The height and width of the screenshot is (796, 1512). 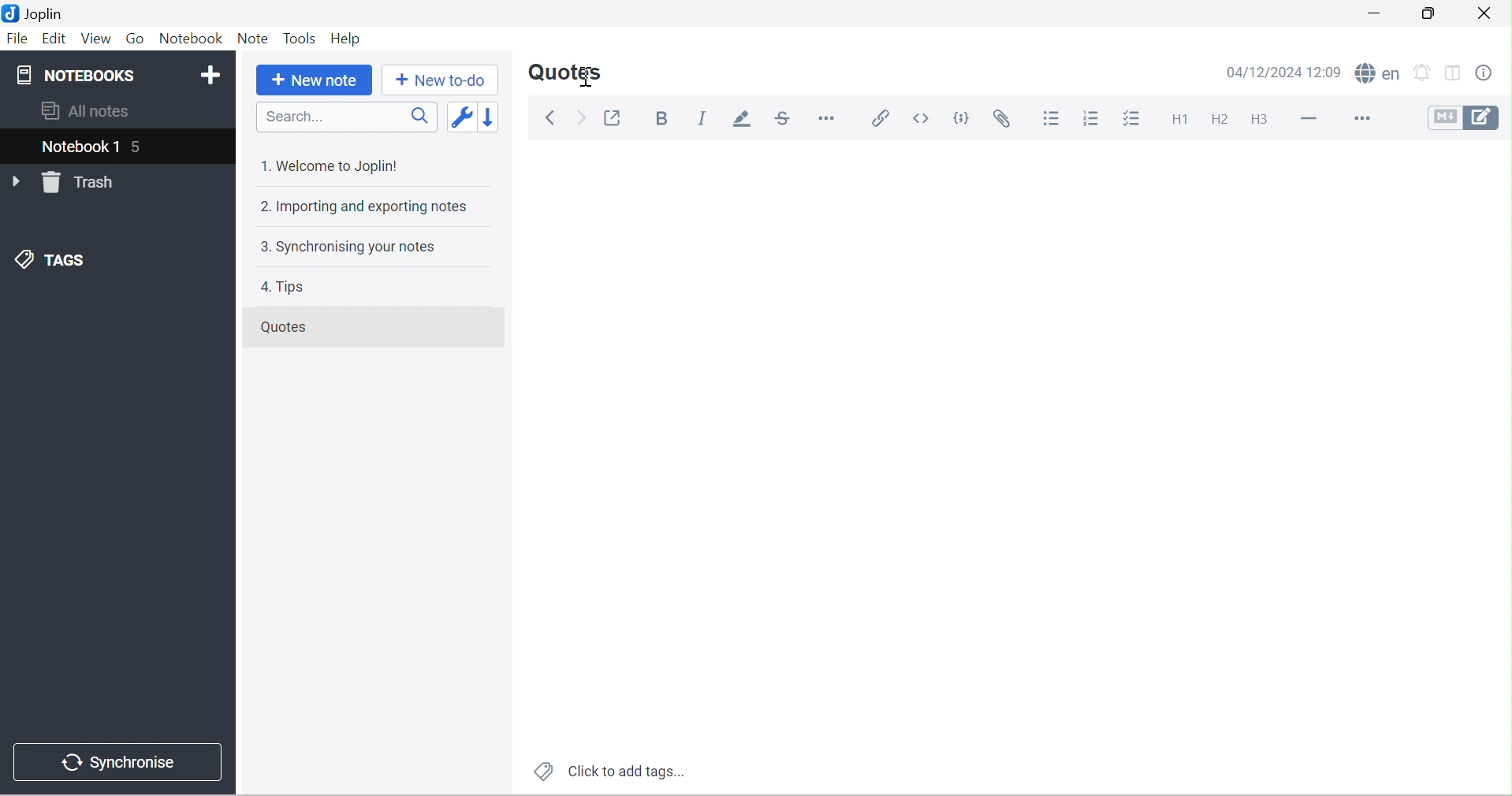 What do you see at coordinates (1257, 120) in the screenshot?
I see `Heading 3` at bounding box center [1257, 120].